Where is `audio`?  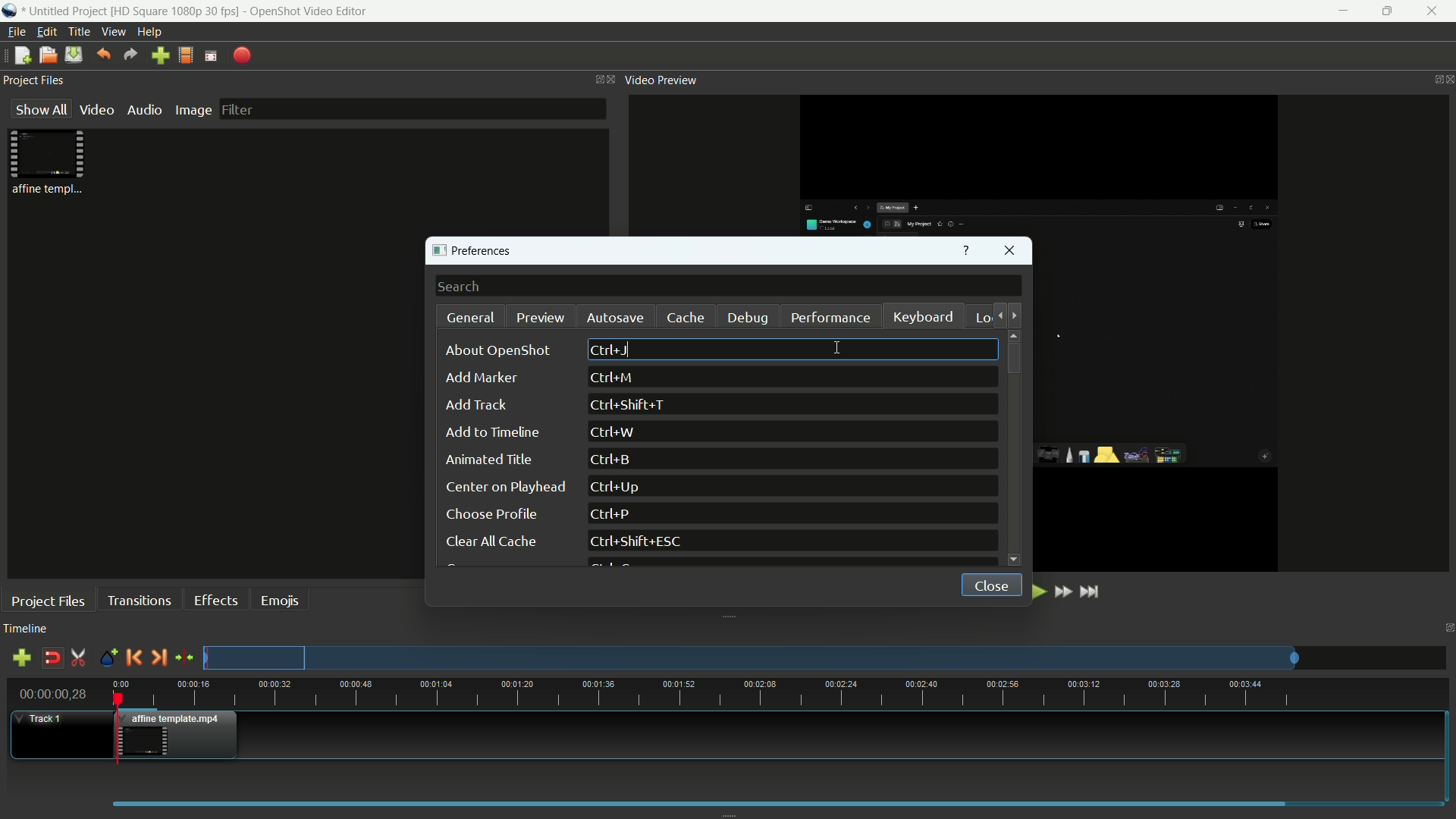 audio is located at coordinates (146, 110).